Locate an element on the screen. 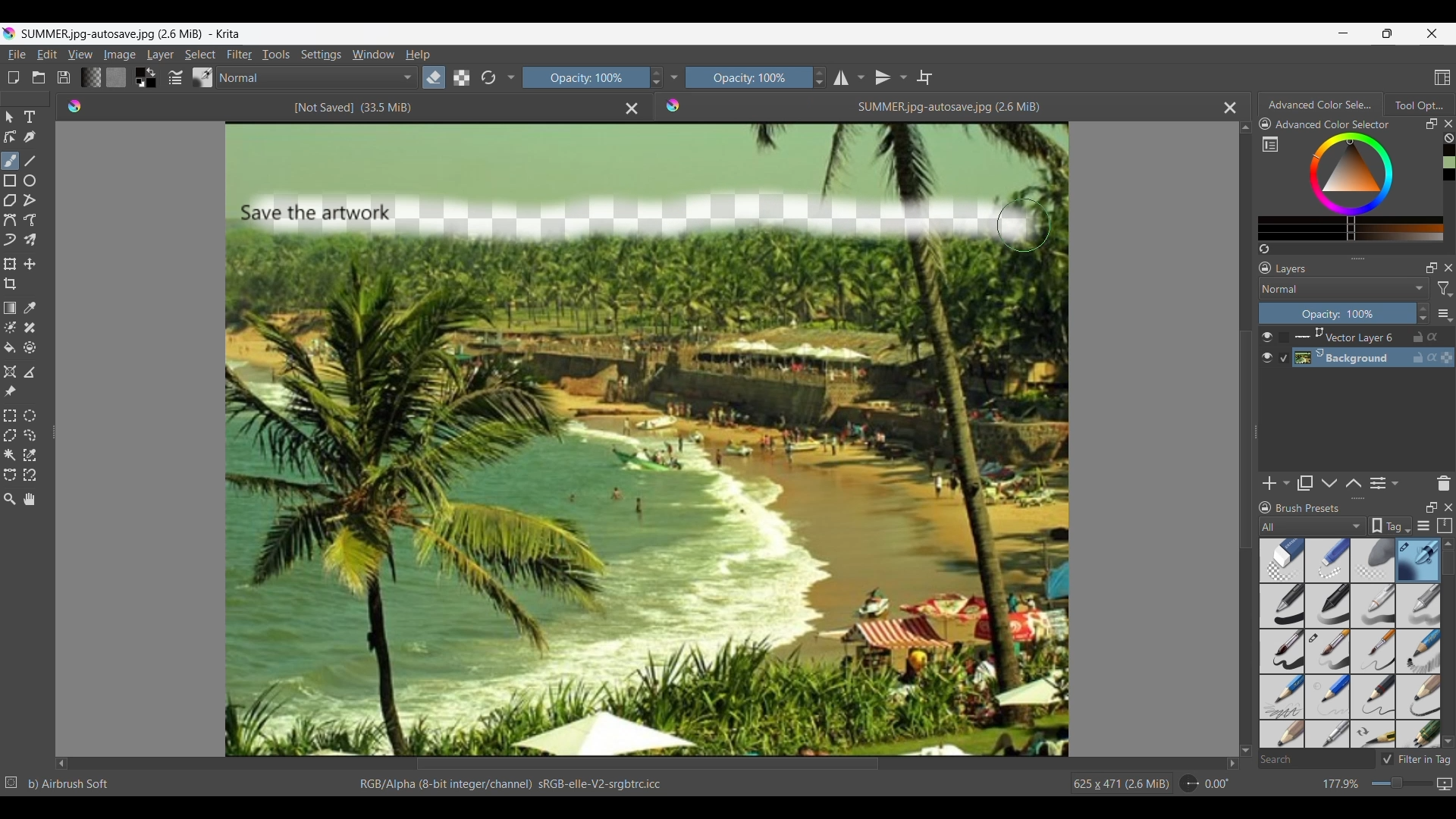 The height and width of the screenshot is (819, 1456). Increase/Decrease opacity is located at coordinates (820, 77).